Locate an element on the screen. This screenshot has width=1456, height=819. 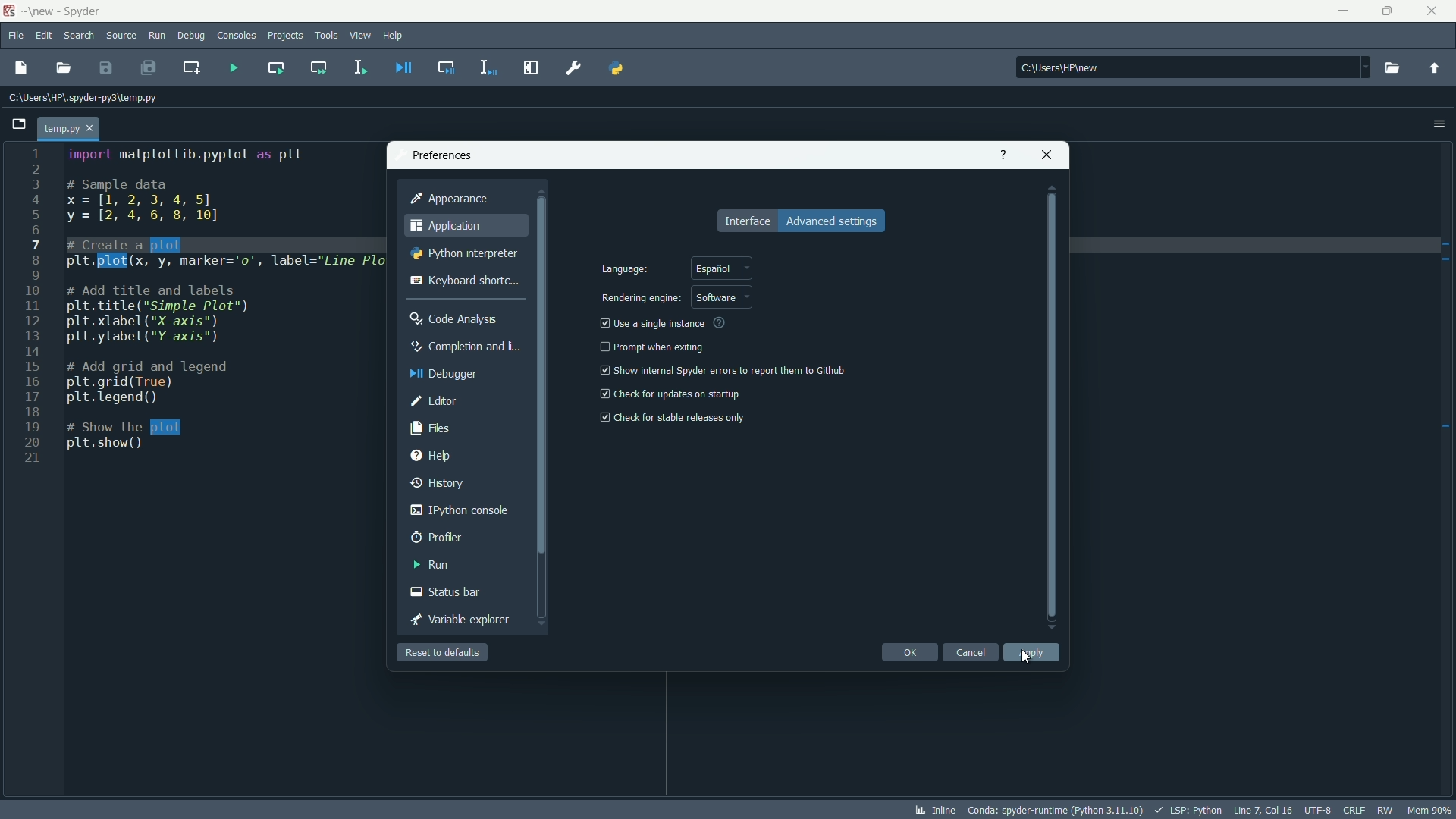
app name is located at coordinates (82, 13).